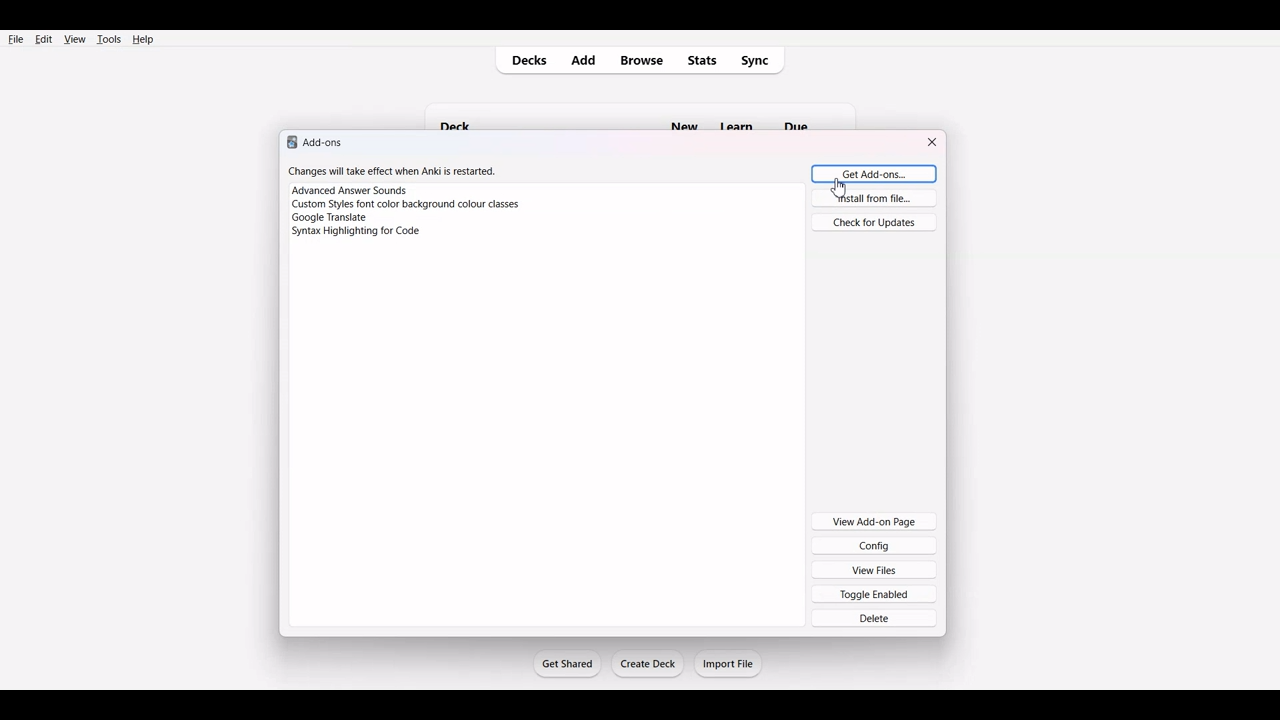 The width and height of the screenshot is (1280, 720). Describe the element at coordinates (641, 61) in the screenshot. I see `Browse` at that location.